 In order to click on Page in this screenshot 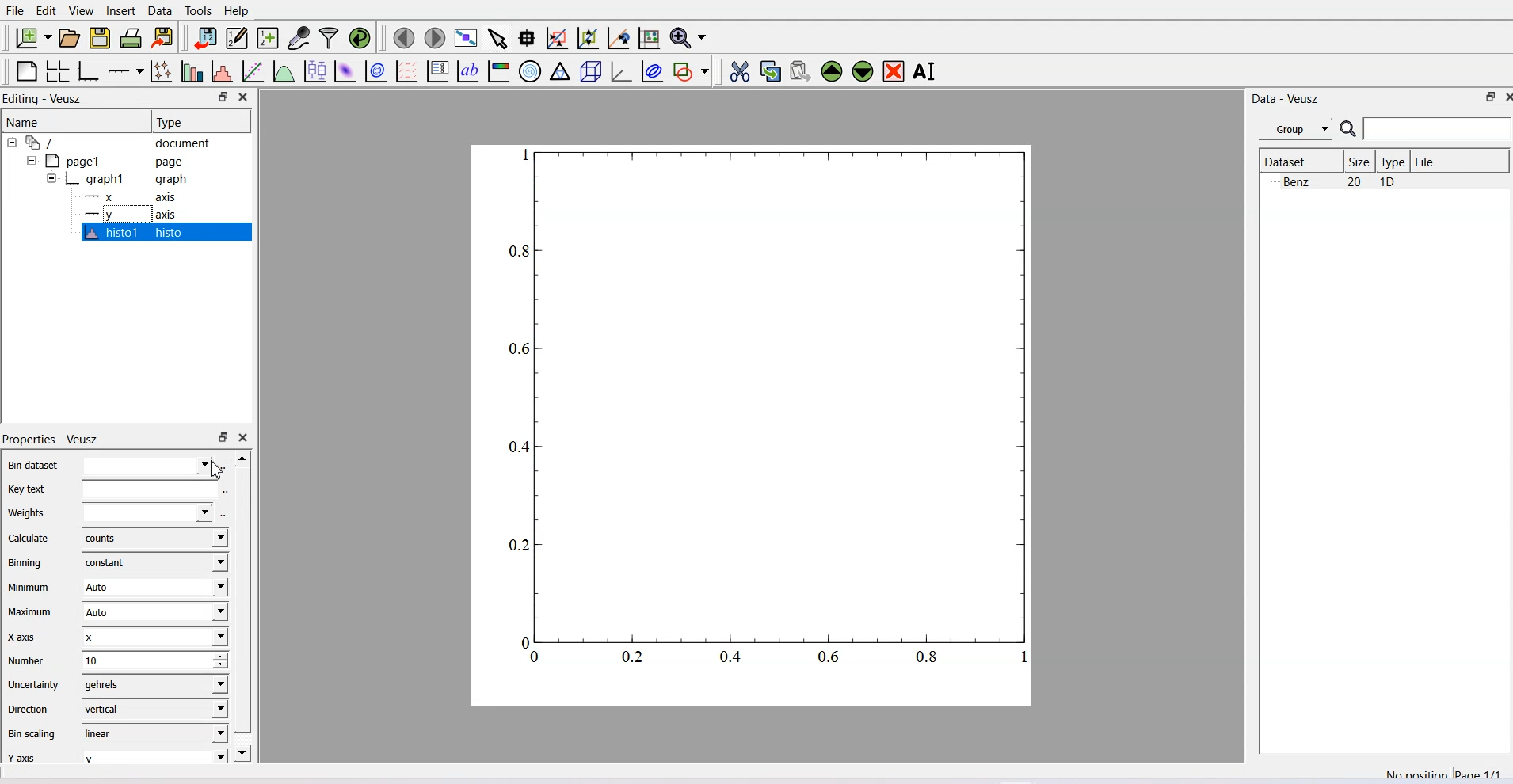, I will do `click(120, 161)`.